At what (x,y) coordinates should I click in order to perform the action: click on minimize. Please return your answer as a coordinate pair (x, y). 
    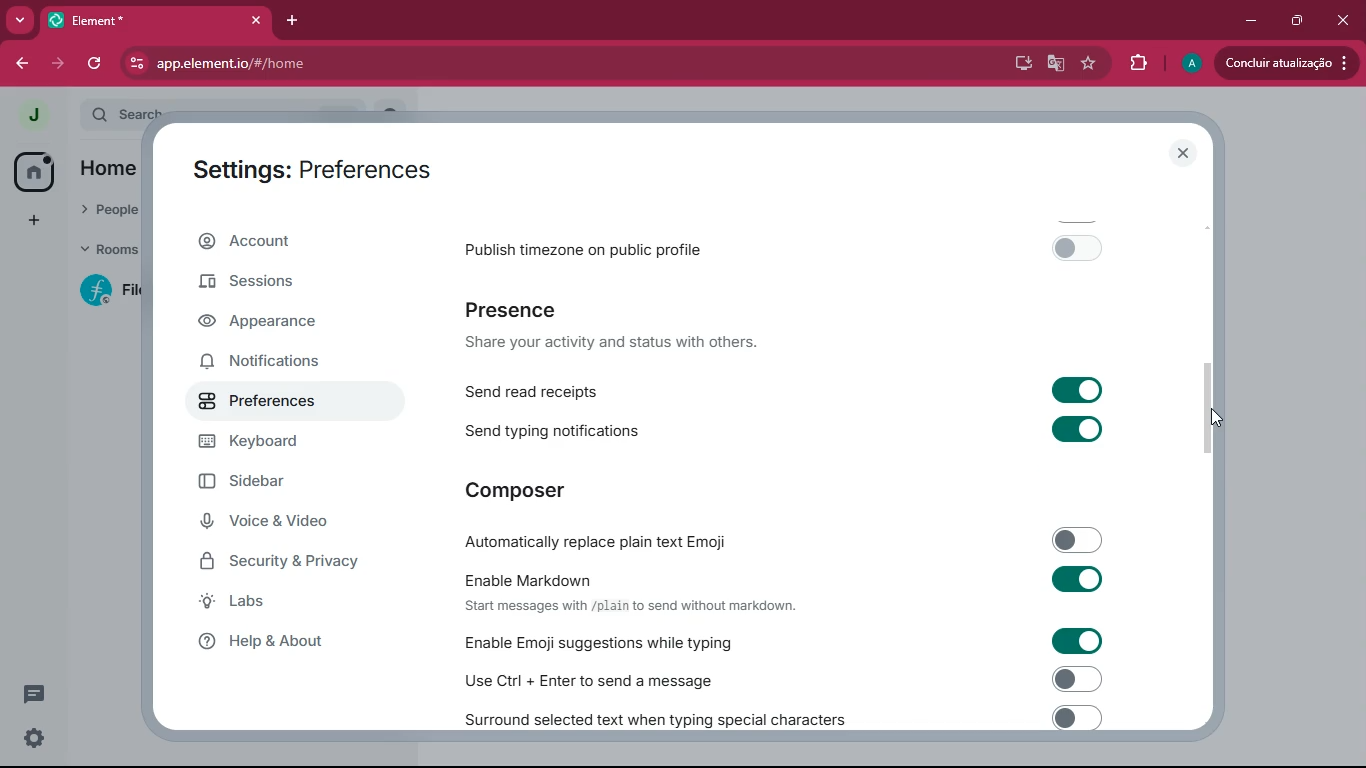
    Looking at the image, I should click on (1250, 21).